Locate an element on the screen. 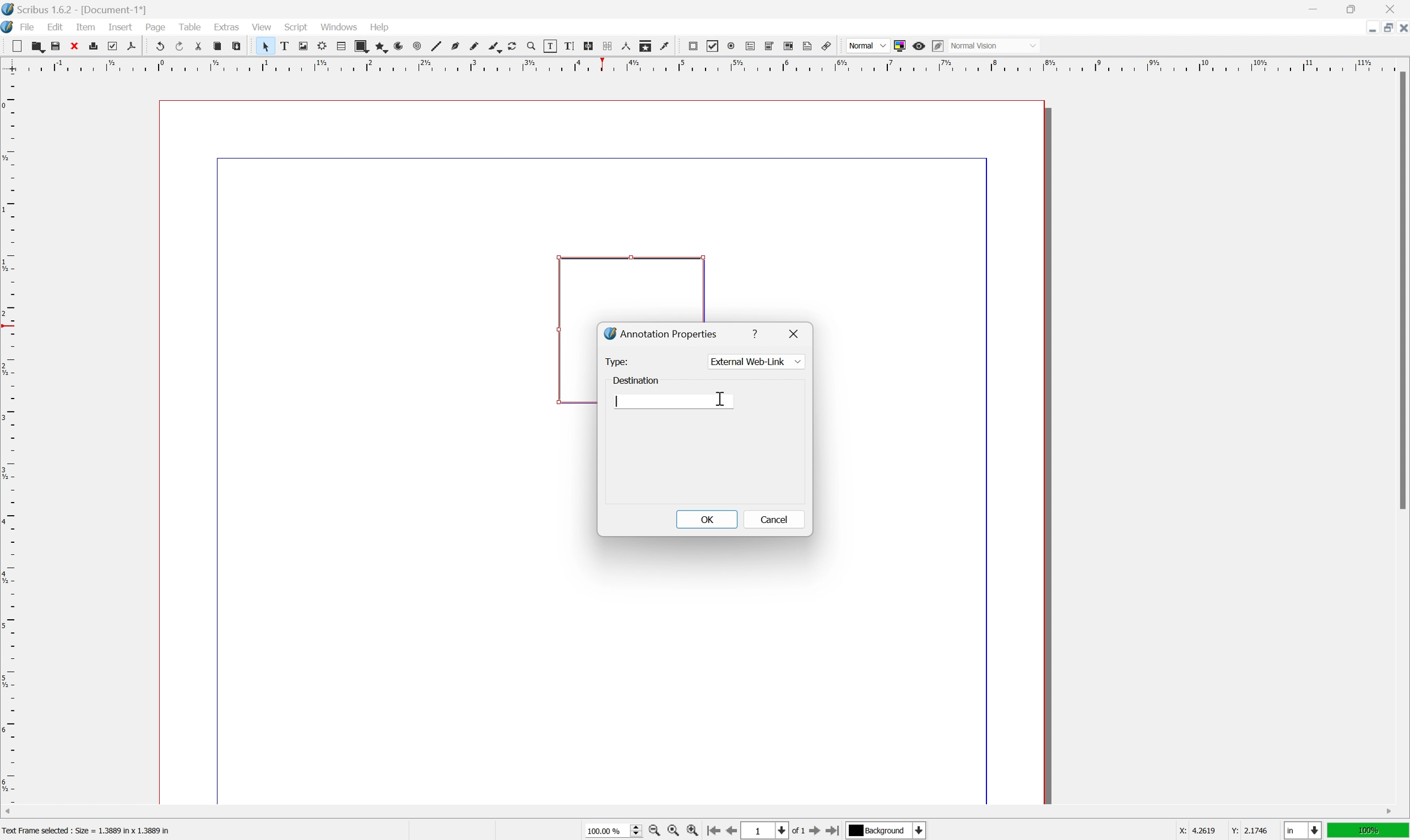 Image resolution: width=1410 pixels, height=840 pixels. eye dropper is located at coordinates (665, 46).